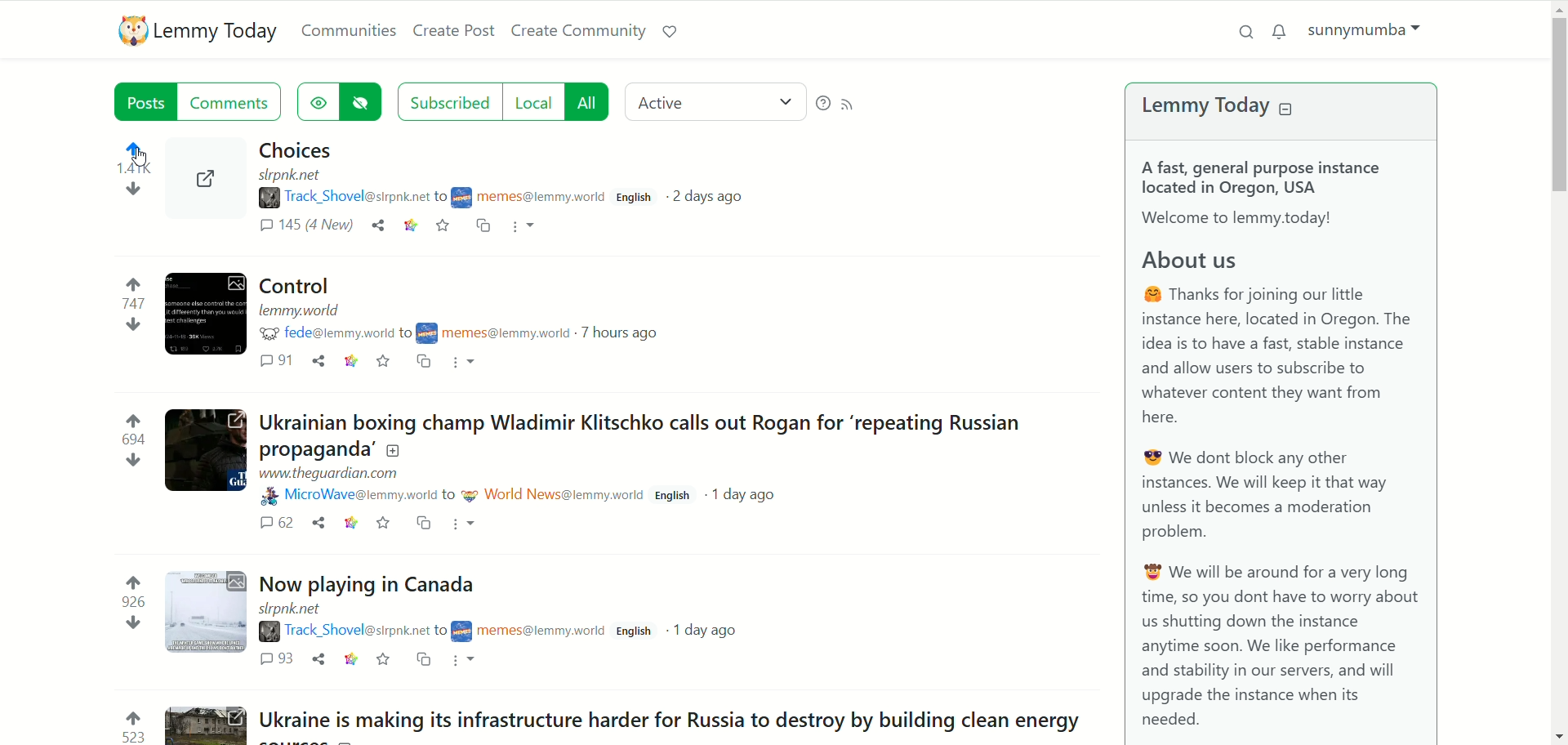  Describe the element at coordinates (449, 493) in the screenshot. I see `to` at that location.